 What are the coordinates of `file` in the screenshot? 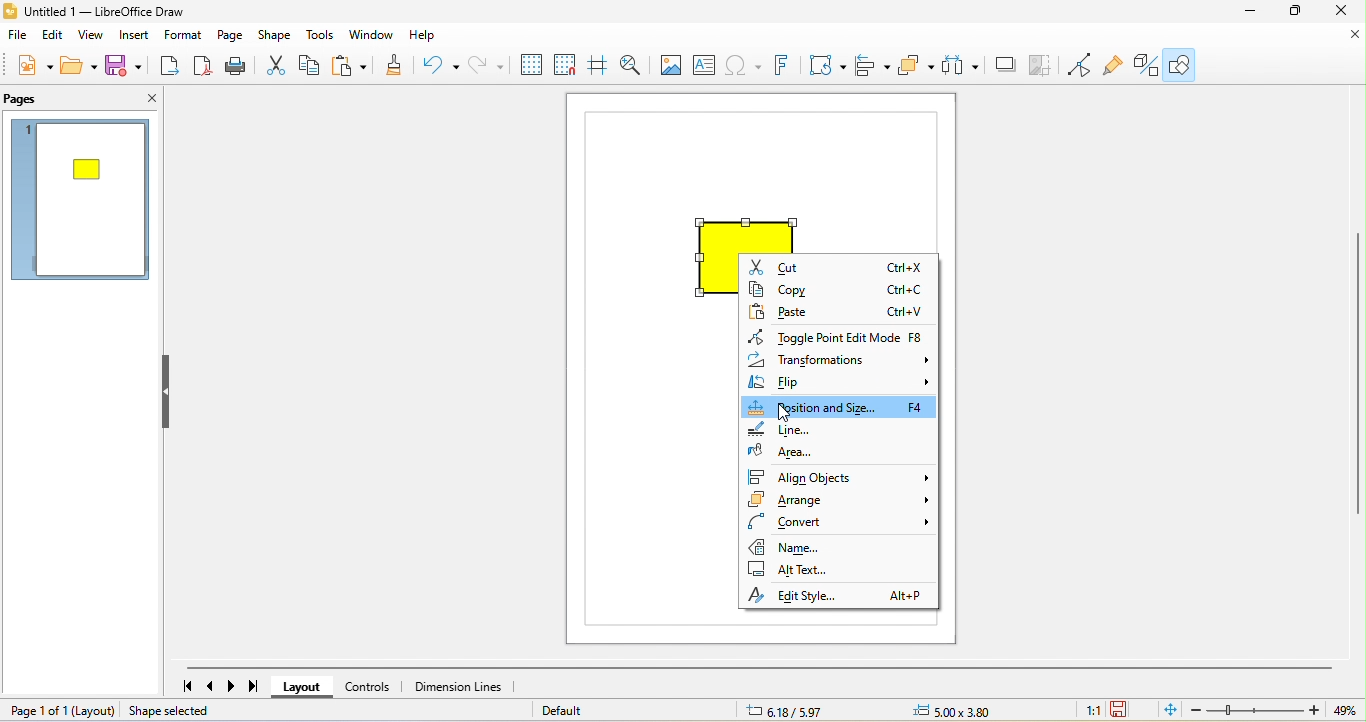 It's located at (19, 34).